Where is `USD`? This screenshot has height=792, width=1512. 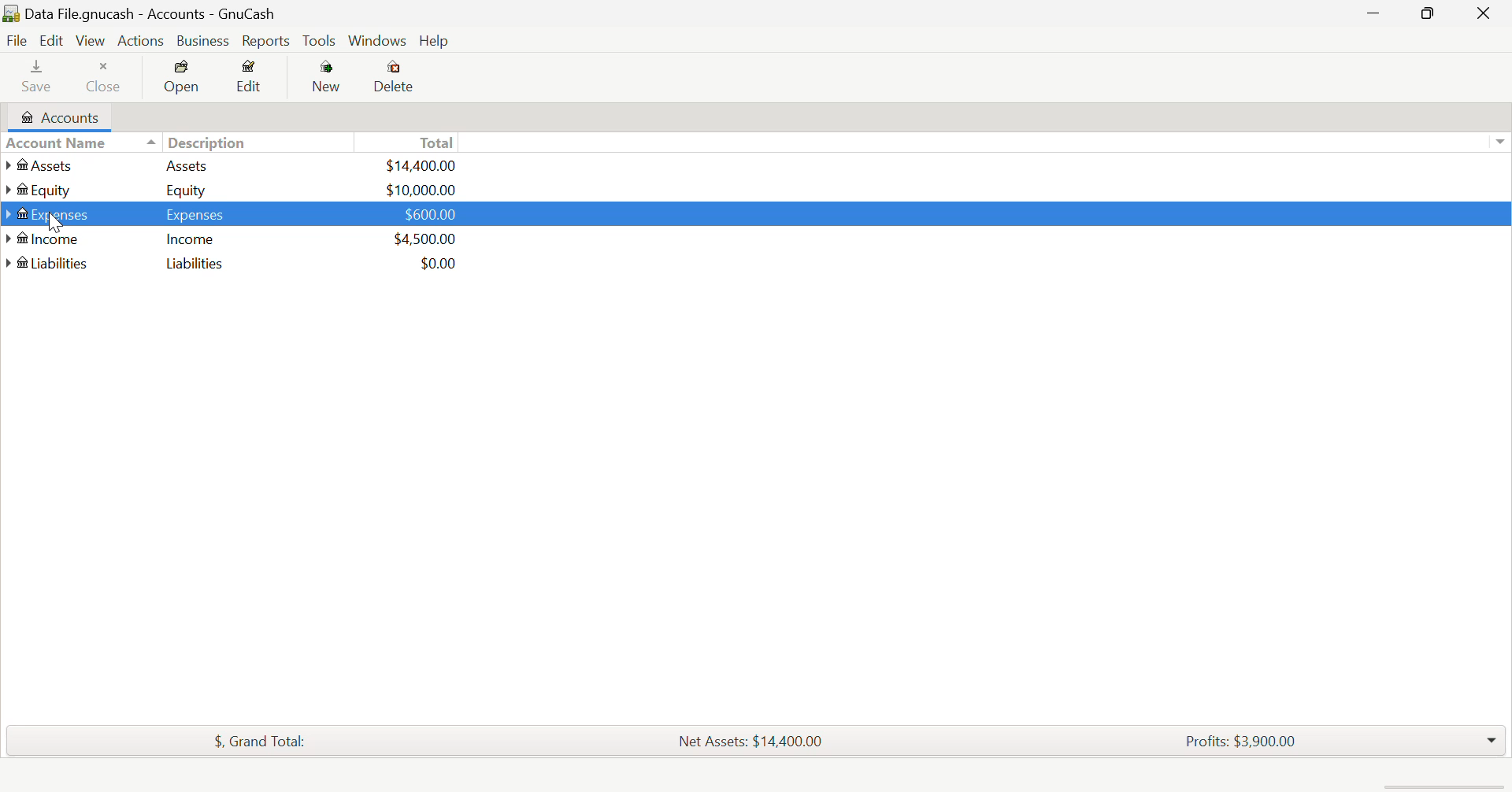 USD is located at coordinates (424, 239).